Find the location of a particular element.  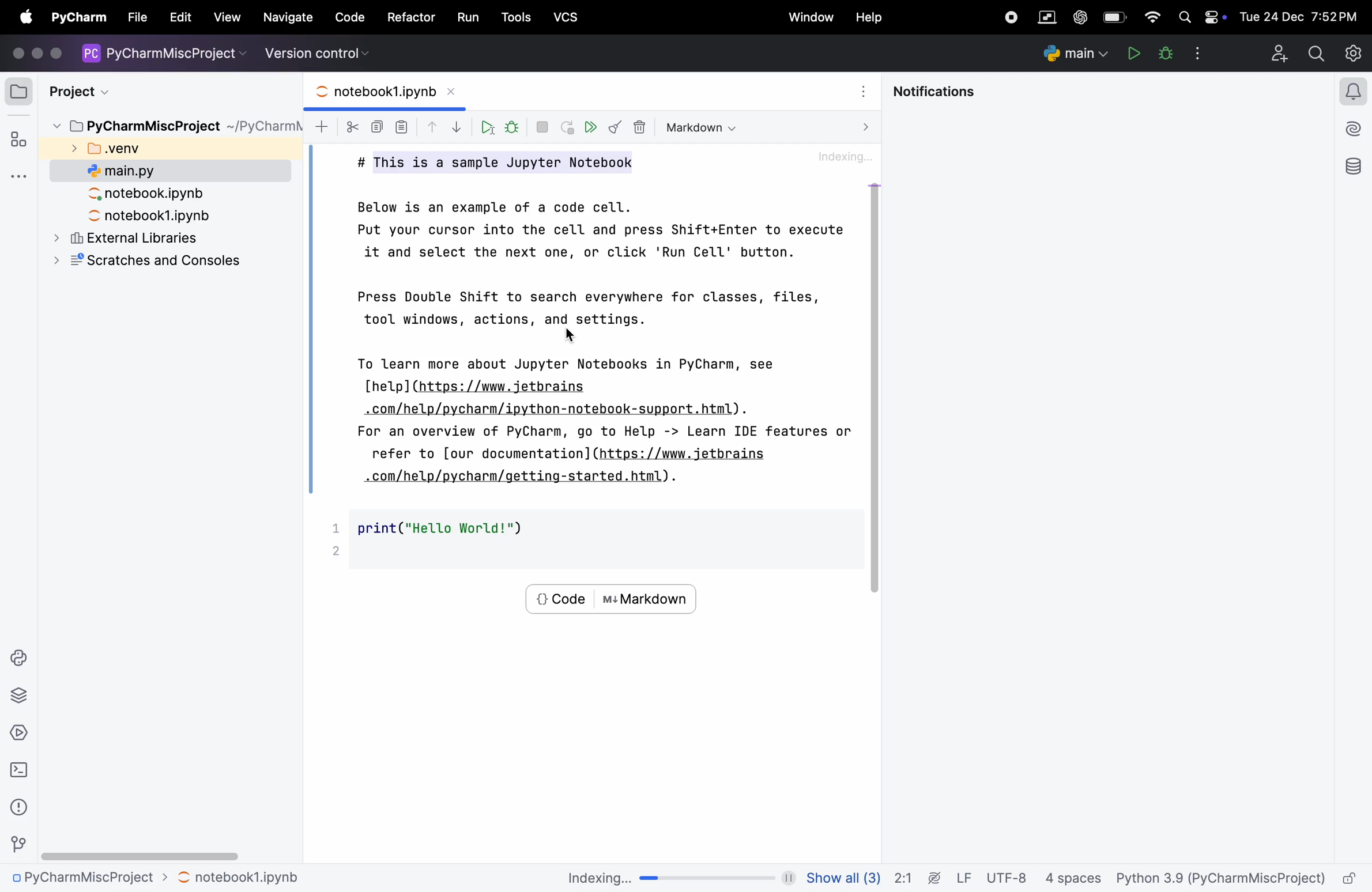

notebook1.ipynb is located at coordinates (159, 214).